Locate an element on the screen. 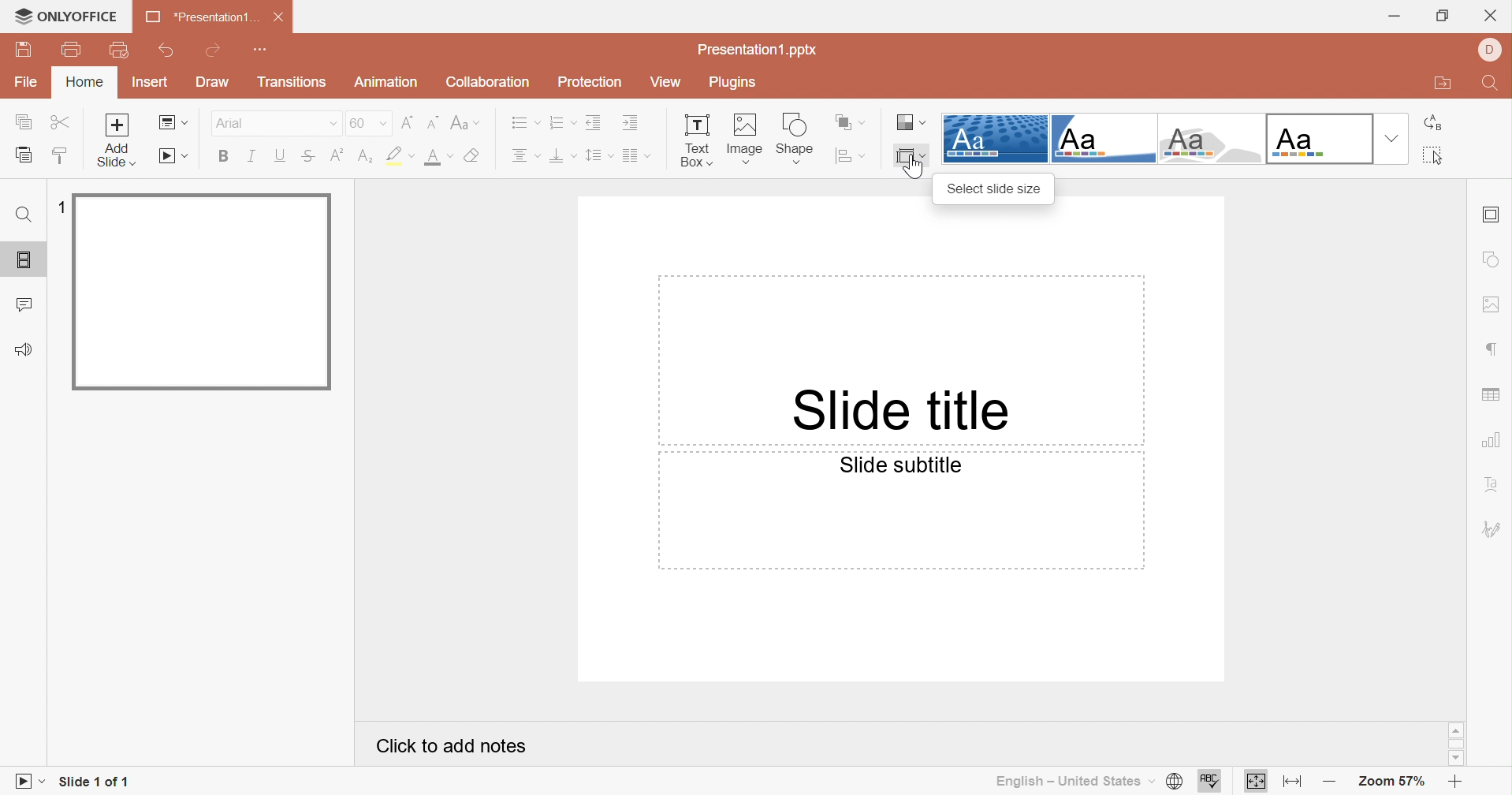 The width and height of the screenshot is (1512, 795). Feedback & Support is located at coordinates (21, 348).